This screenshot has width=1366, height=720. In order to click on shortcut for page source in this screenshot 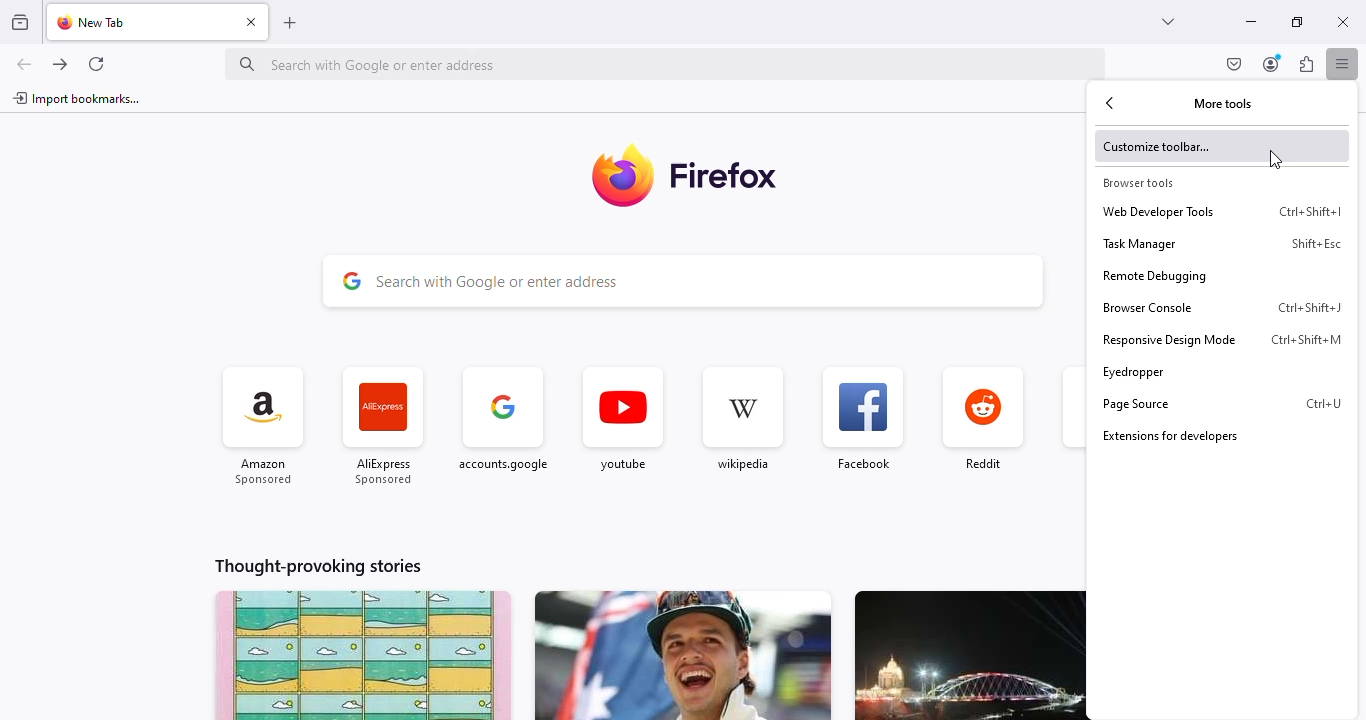, I will do `click(1323, 404)`.